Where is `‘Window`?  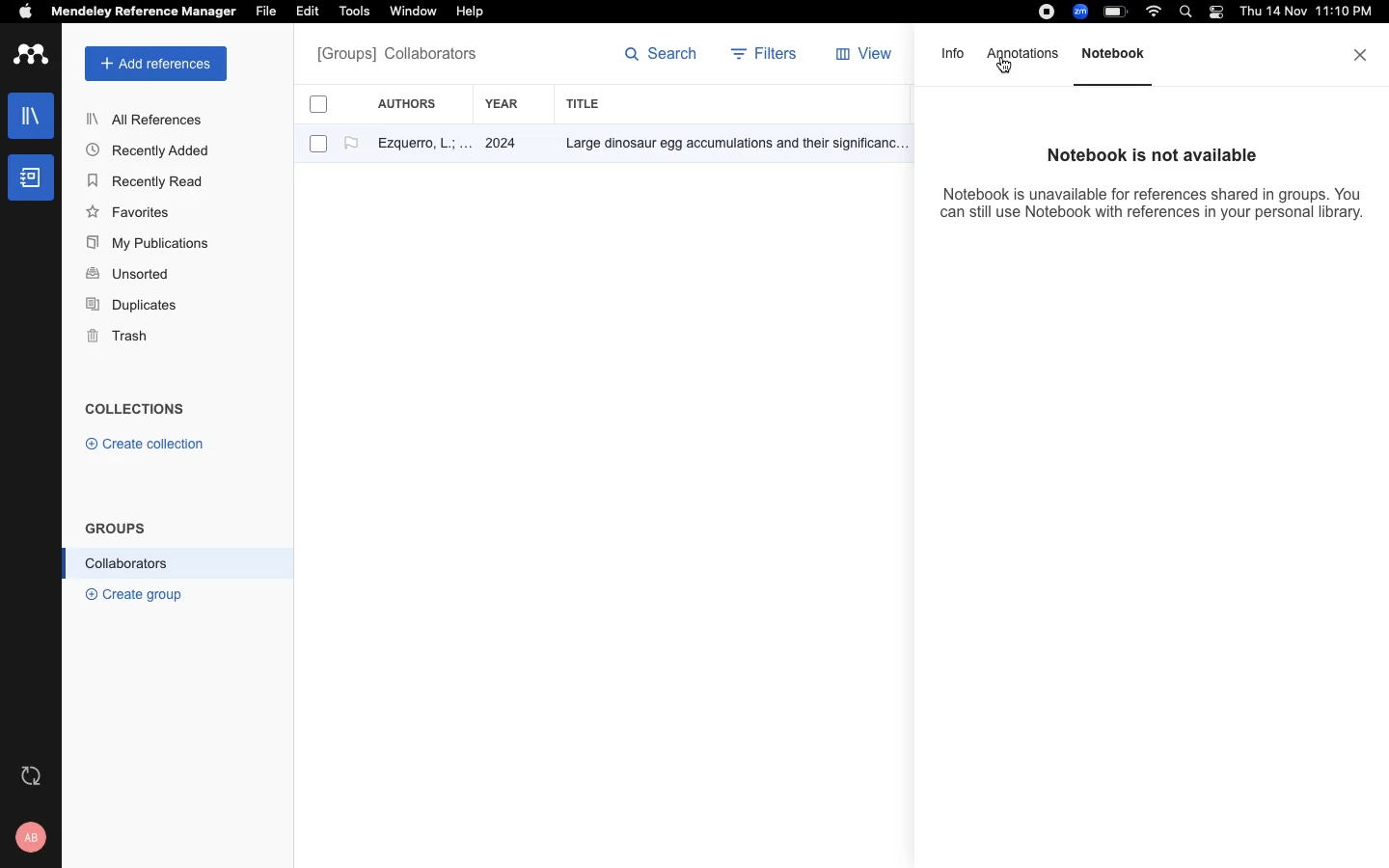 ‘Window is located at coordinates (415, 14).